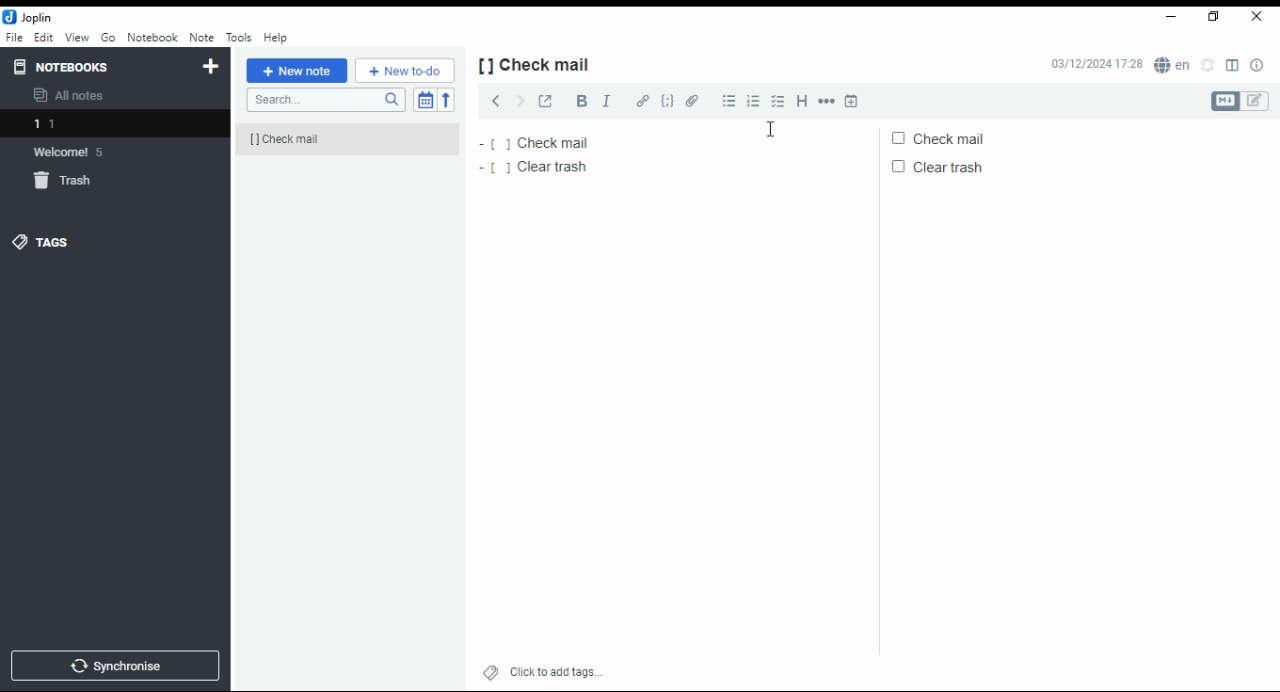 Image resolution: width=1280 pixels, height=692 pixels. Describe the element at coordinates (1257, 65) in the screenshot. I see `note properties` at that location.